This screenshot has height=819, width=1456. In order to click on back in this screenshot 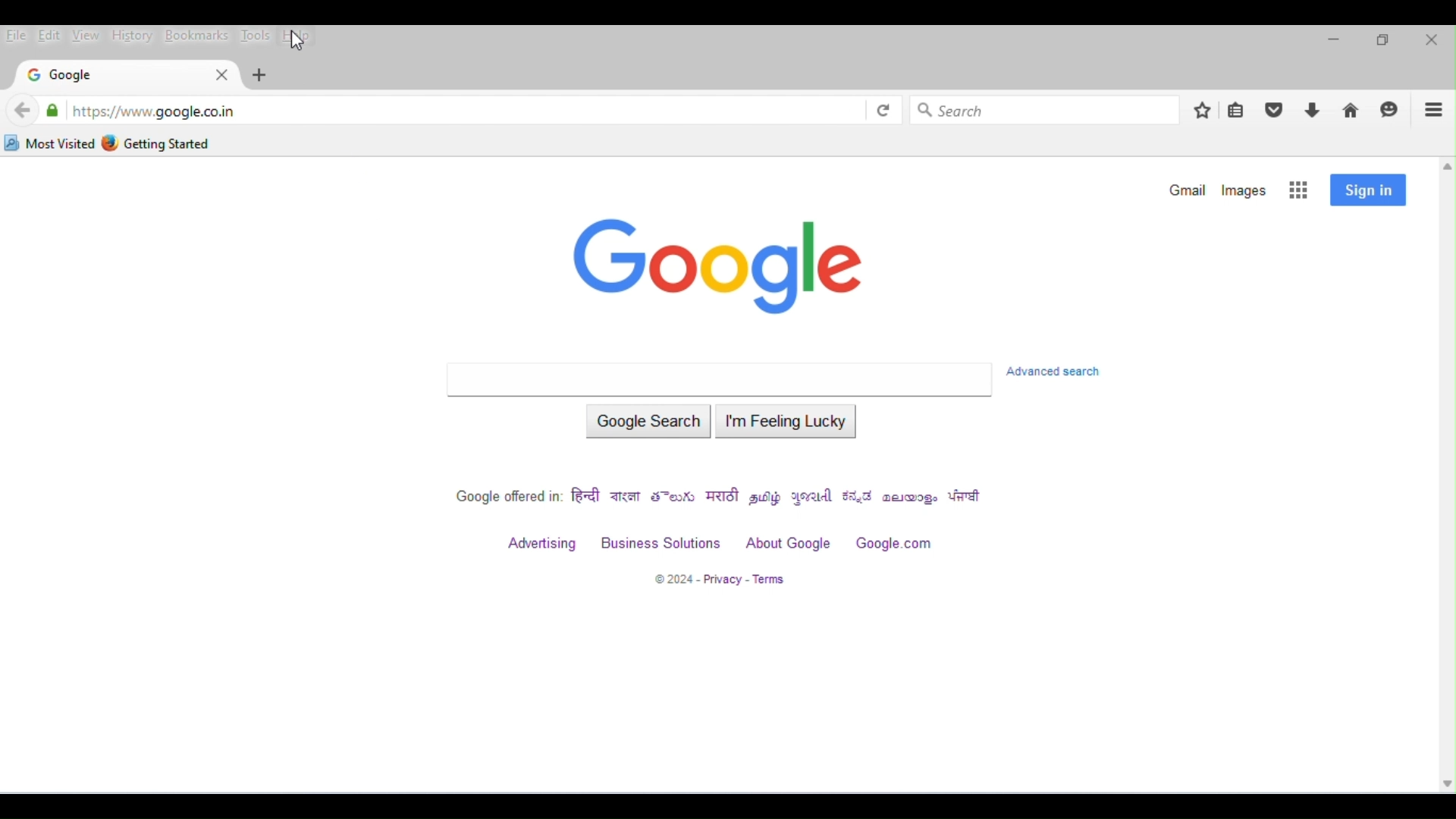, I will do `click(23, 111)`.